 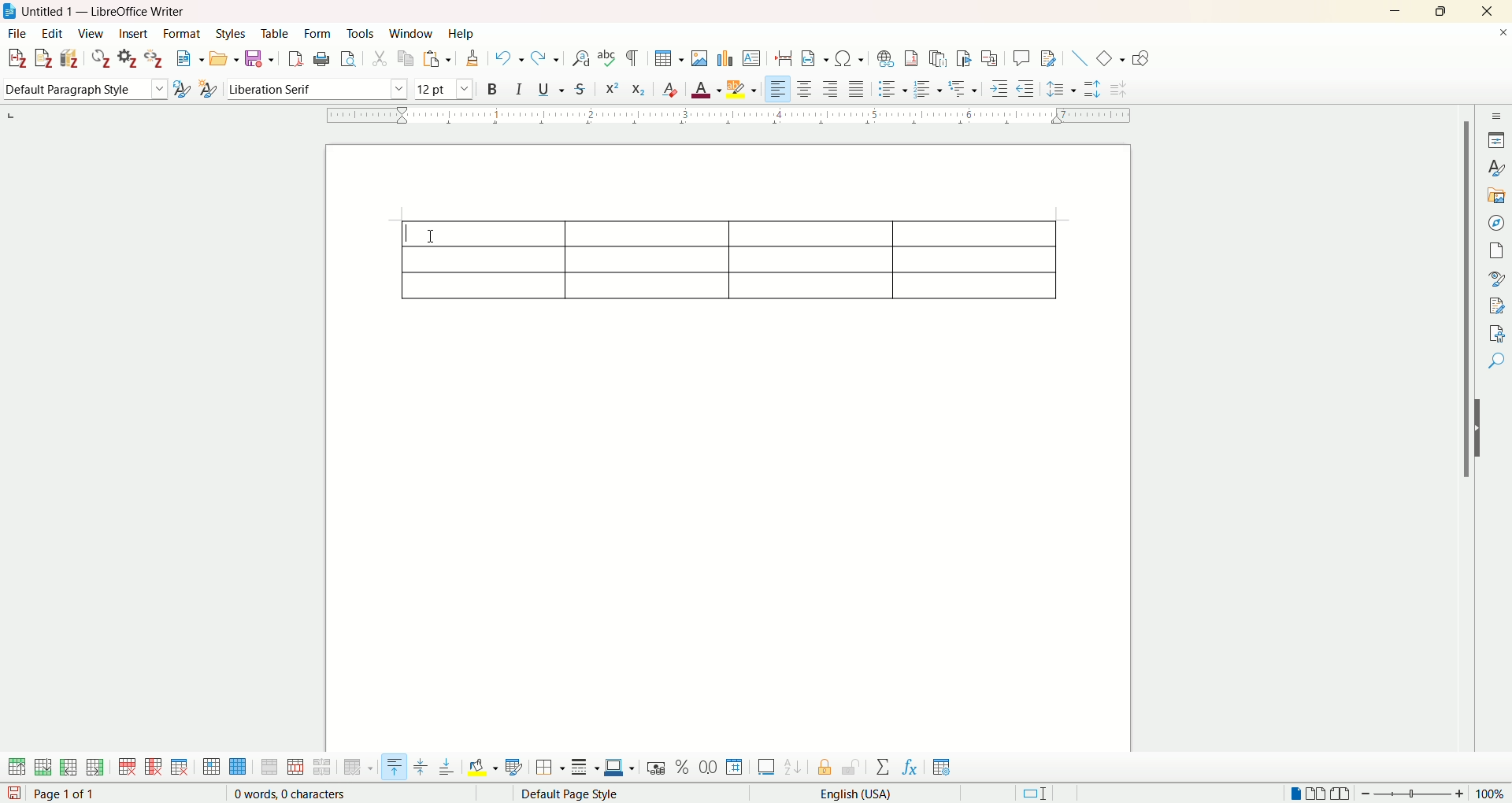 I want to click on border, so click(x=552, y=768).